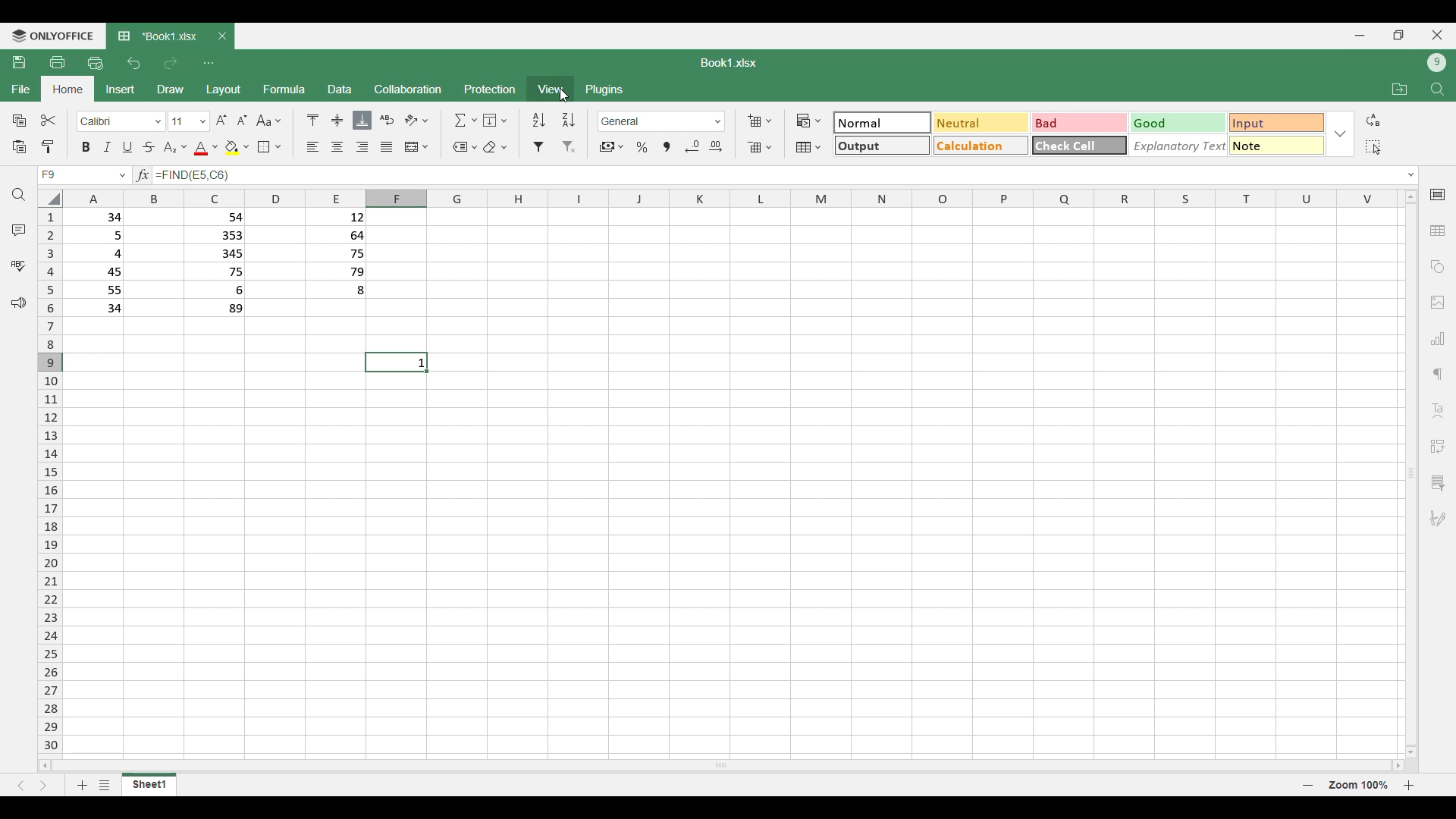  I want to click on Align bottom, current selection highlighted, so click(362, 121).